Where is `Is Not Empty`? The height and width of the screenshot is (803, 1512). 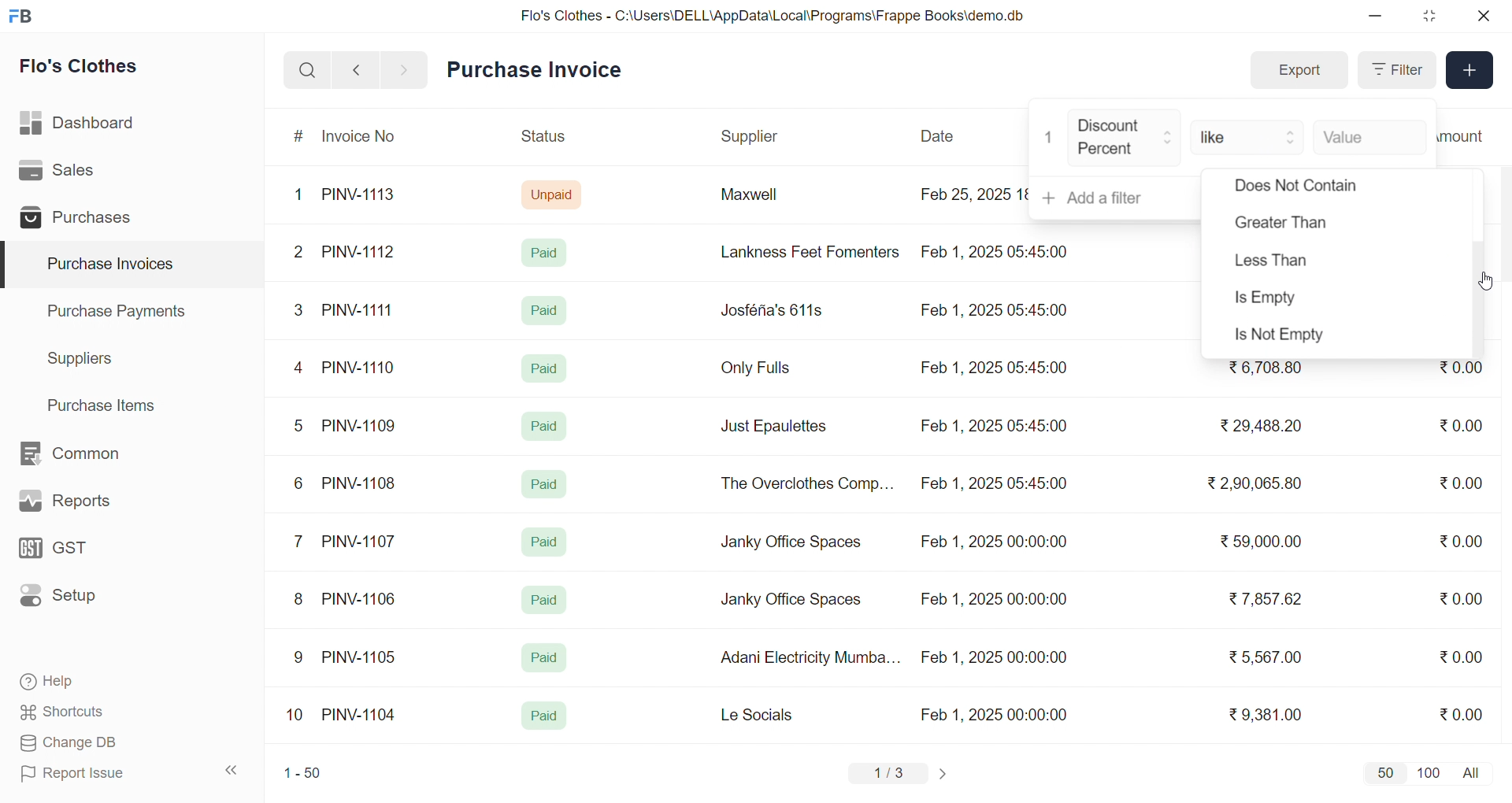
Is Not Empty is located at coordinates (1294, 337).